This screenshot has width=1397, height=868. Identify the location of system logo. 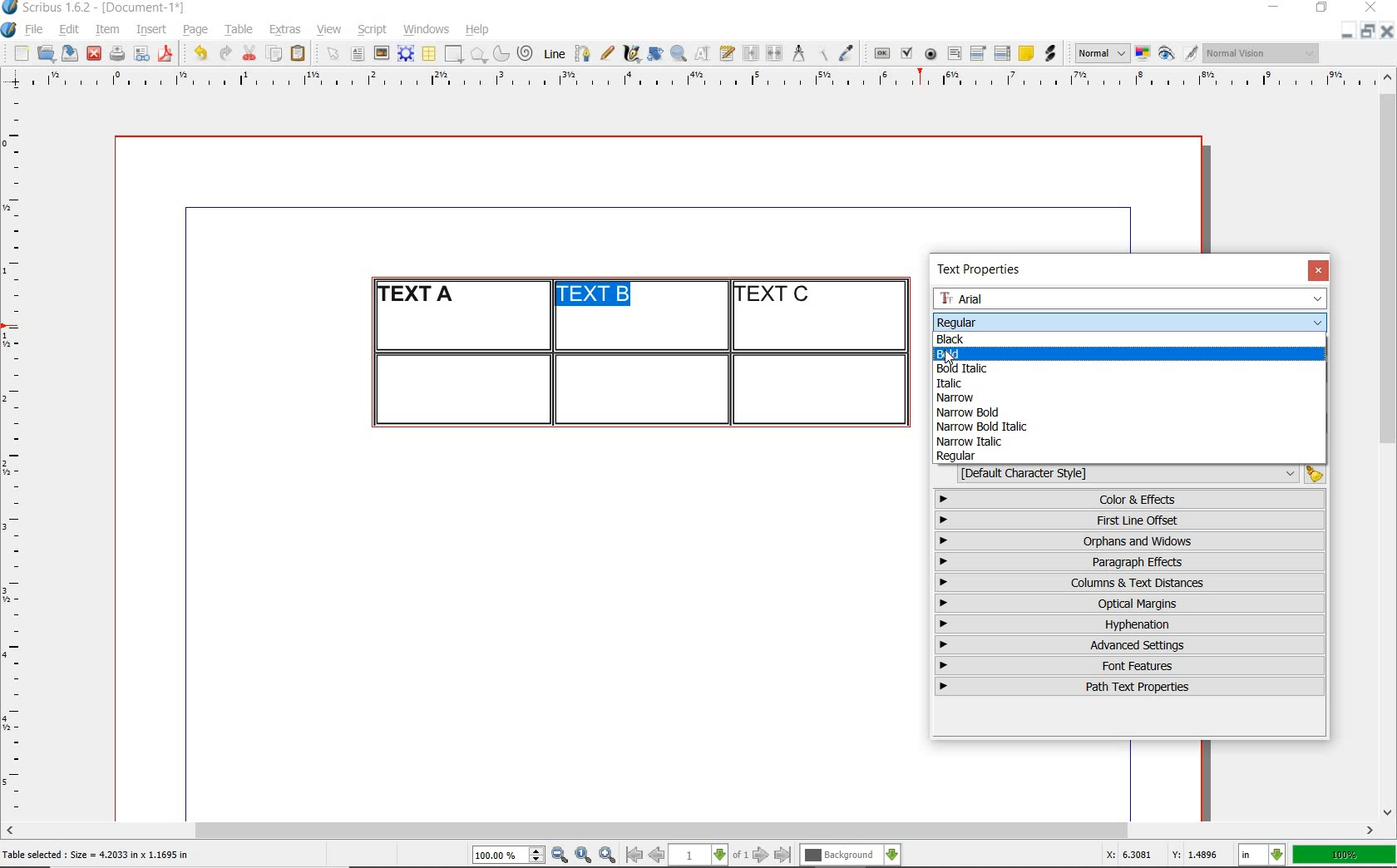
(10, 30).